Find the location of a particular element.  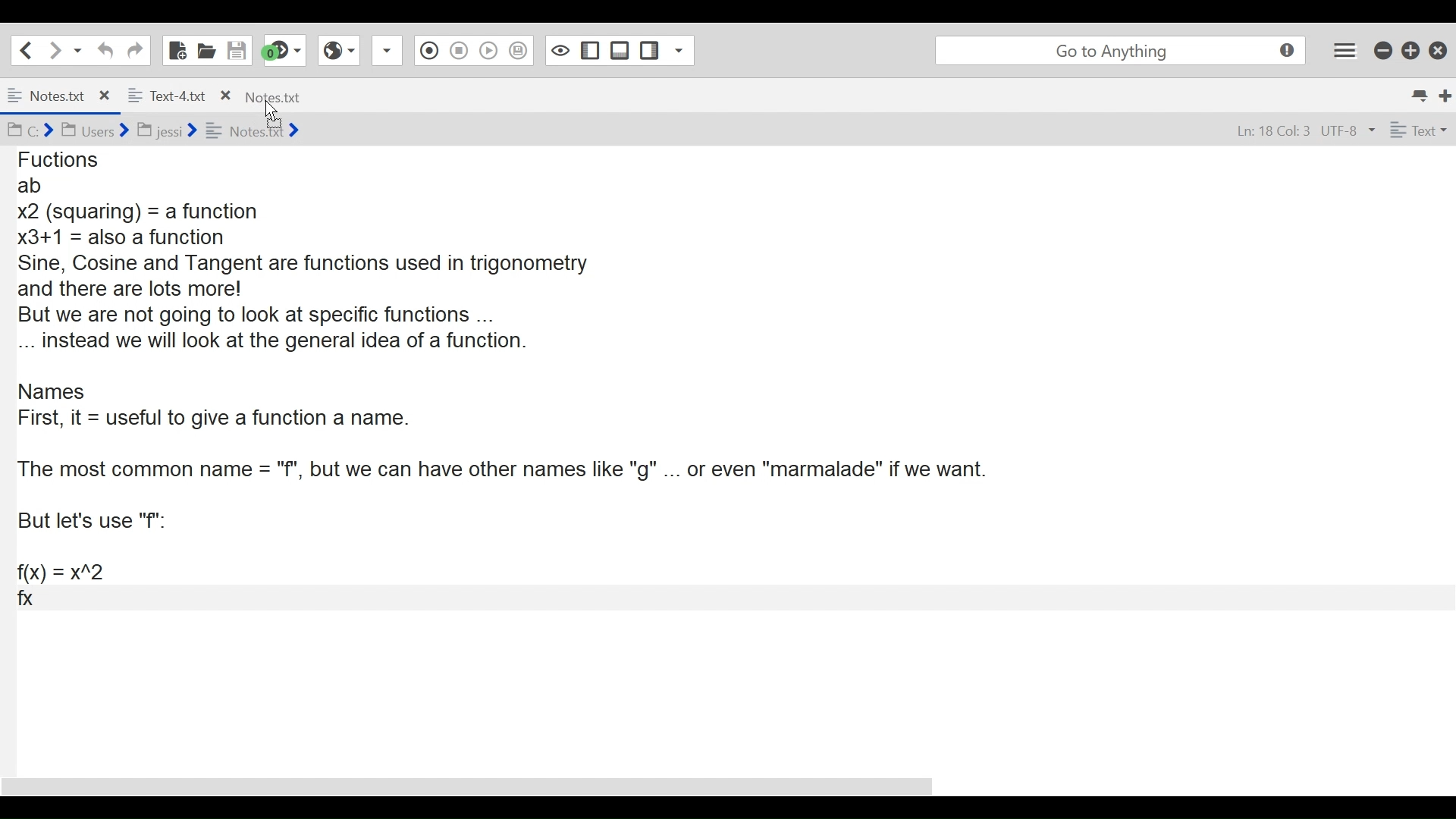

Application menu is located at coordinates (1346, 50).